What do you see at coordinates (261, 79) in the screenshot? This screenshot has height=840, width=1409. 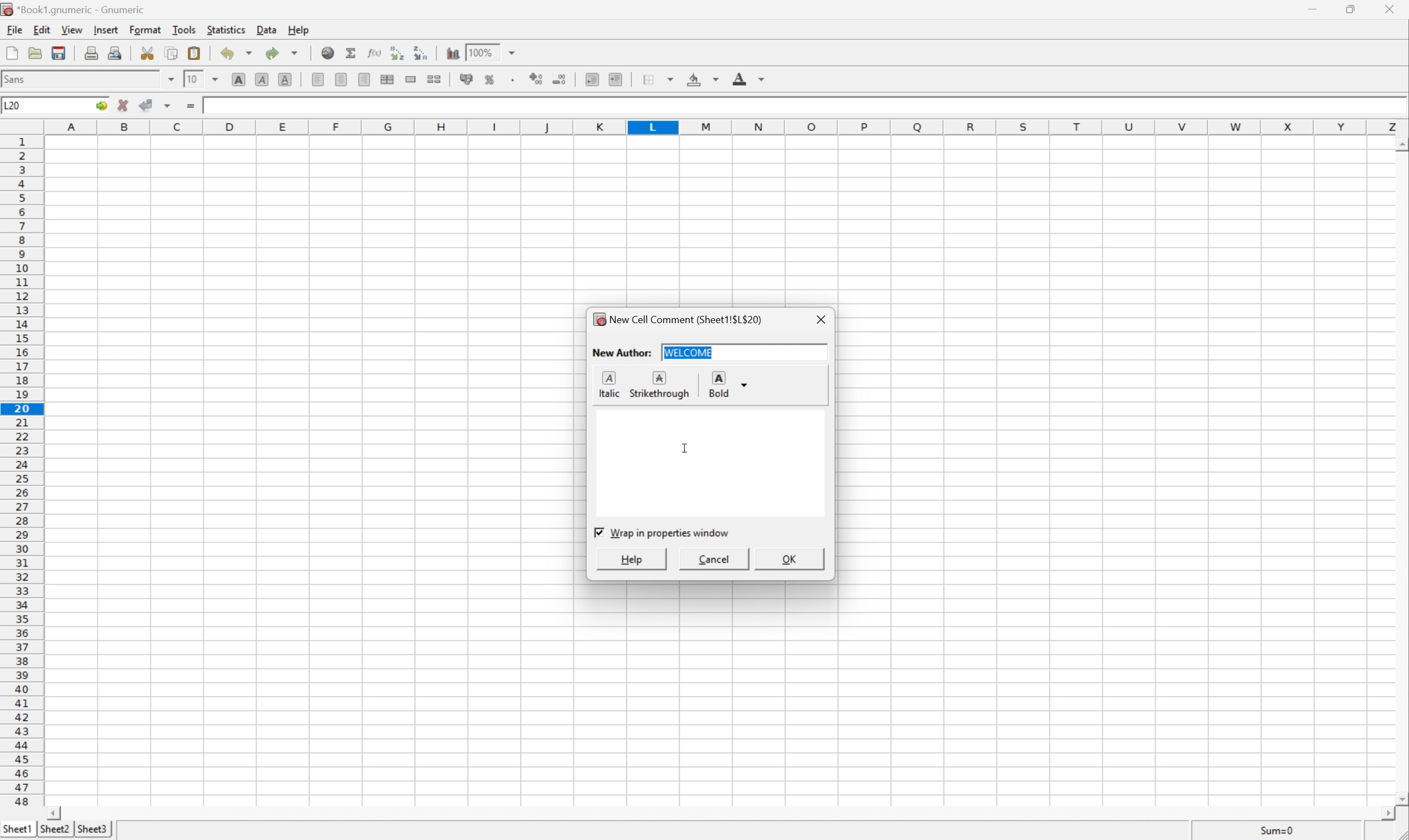 I see `Italic` at bounding box center [261, 79].